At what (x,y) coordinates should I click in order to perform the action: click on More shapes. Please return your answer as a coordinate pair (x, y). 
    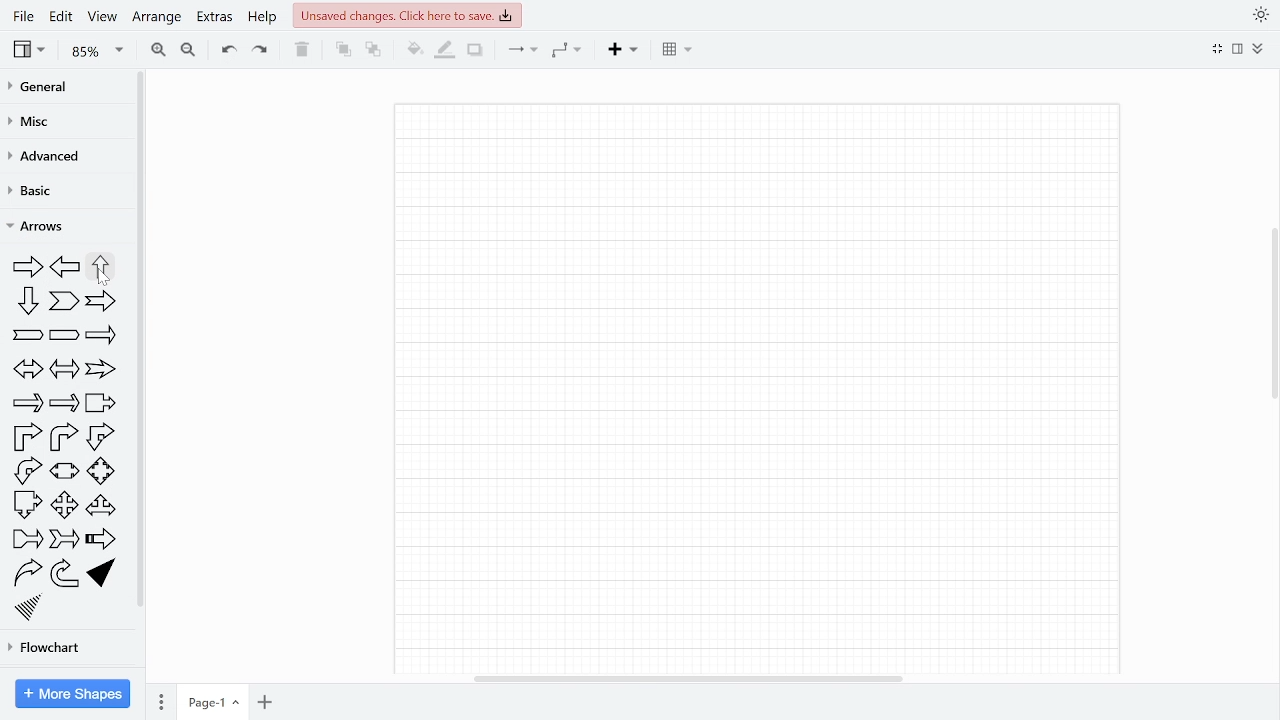
    Looking at the image, I should click on (73, 694).